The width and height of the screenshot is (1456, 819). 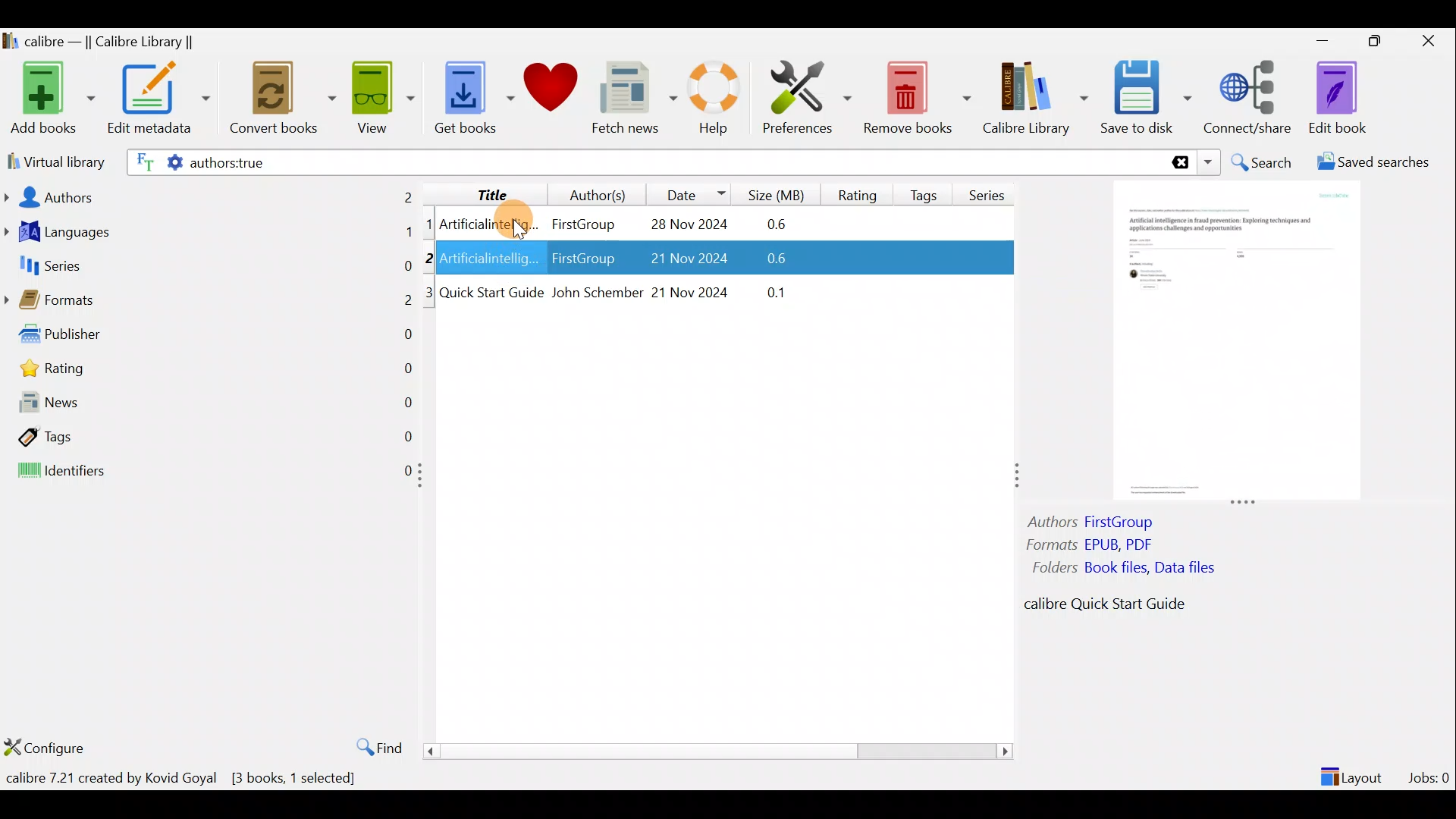 What do you see at coordinates (430, 293) in the screenshot?
I see `3` at bounding box center [430, 293].